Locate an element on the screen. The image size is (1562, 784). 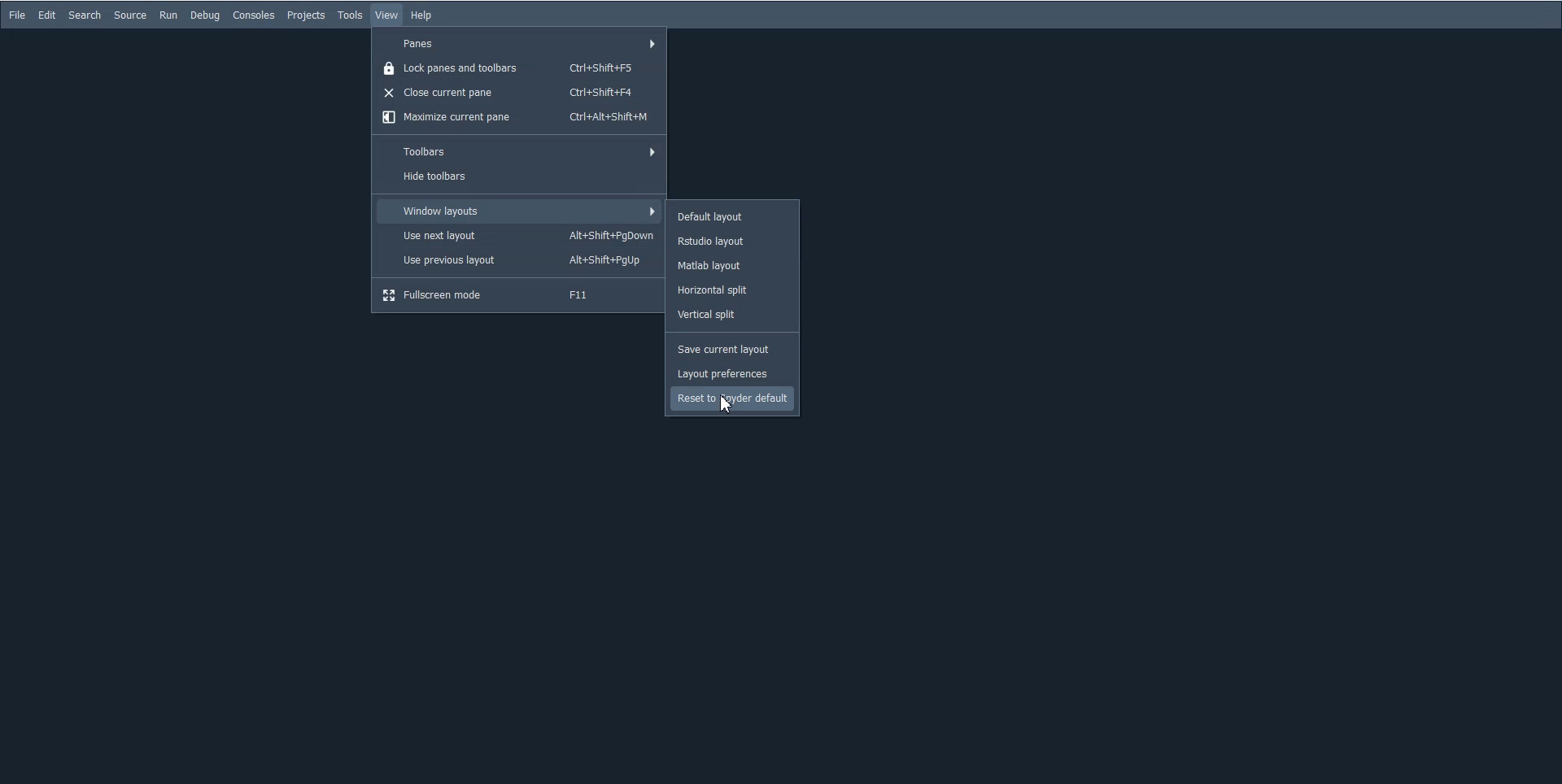
Source is located at coordinates (129, 15).